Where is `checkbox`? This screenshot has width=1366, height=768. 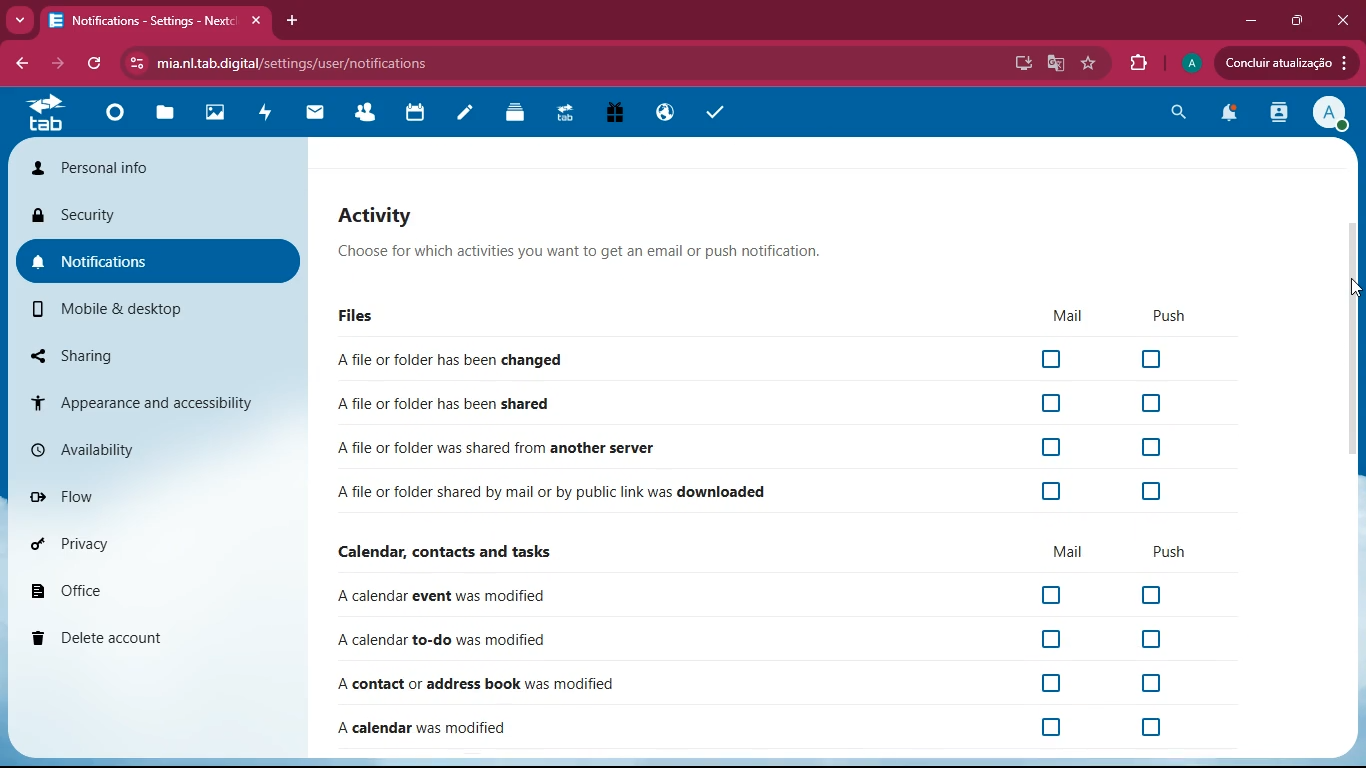
checkbox is located at coordinates (1152, 359).